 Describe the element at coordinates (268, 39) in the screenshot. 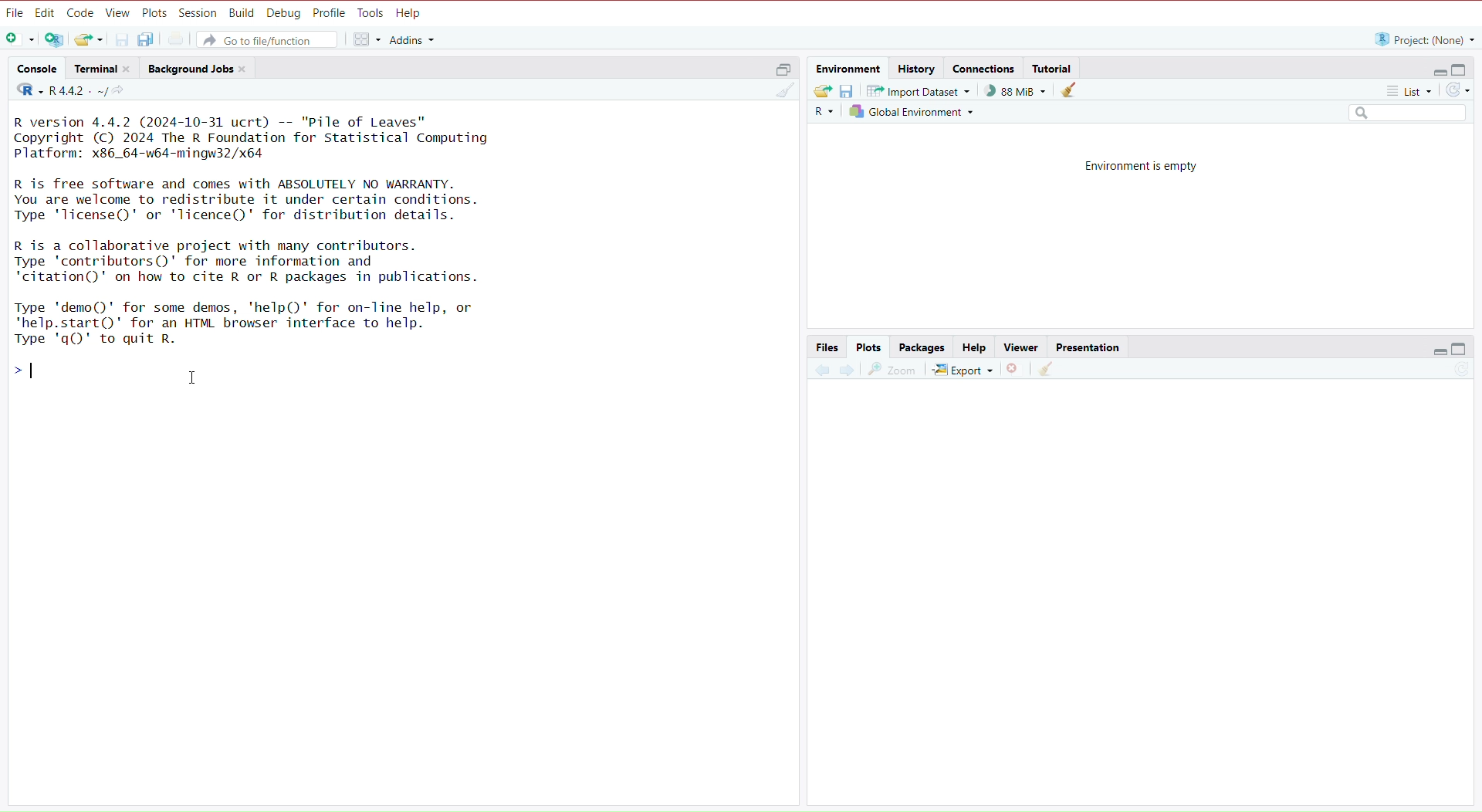

I see `Go to file/function` at that location.